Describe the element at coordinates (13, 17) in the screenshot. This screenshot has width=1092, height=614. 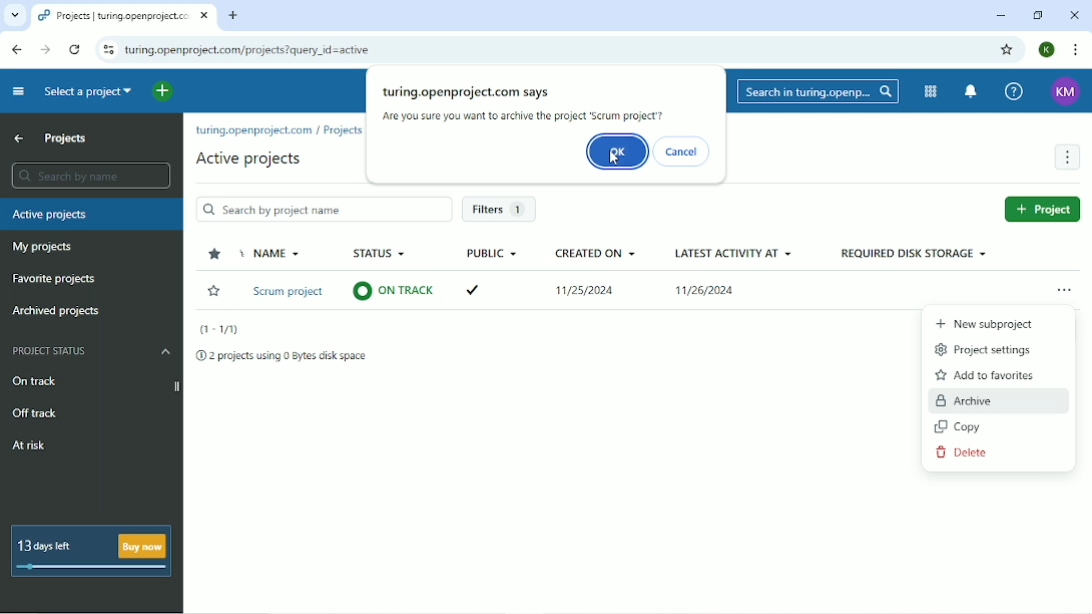
I see `other tabs` at that location.